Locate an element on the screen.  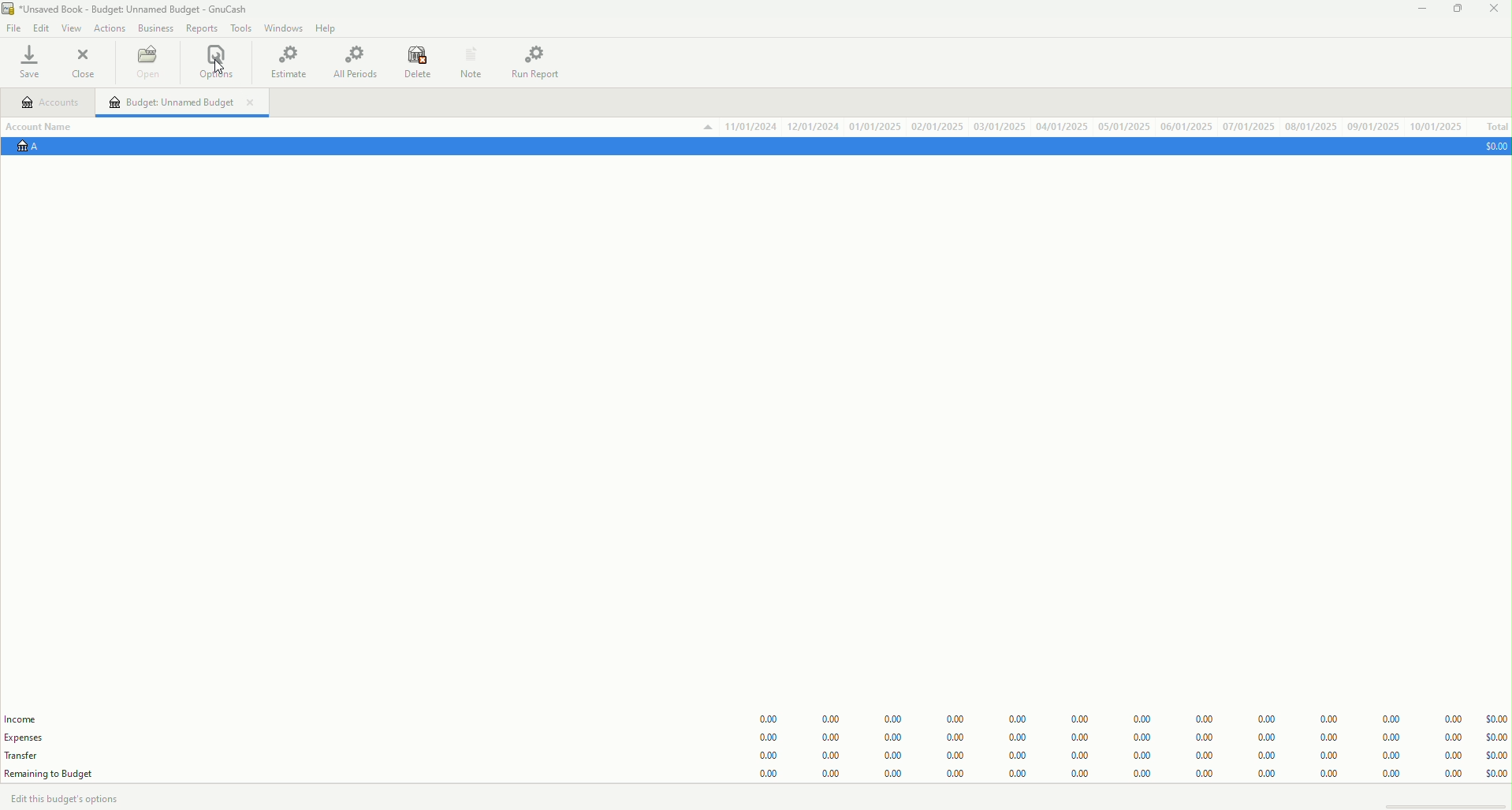
Delete is located at coordinates (418, 64).